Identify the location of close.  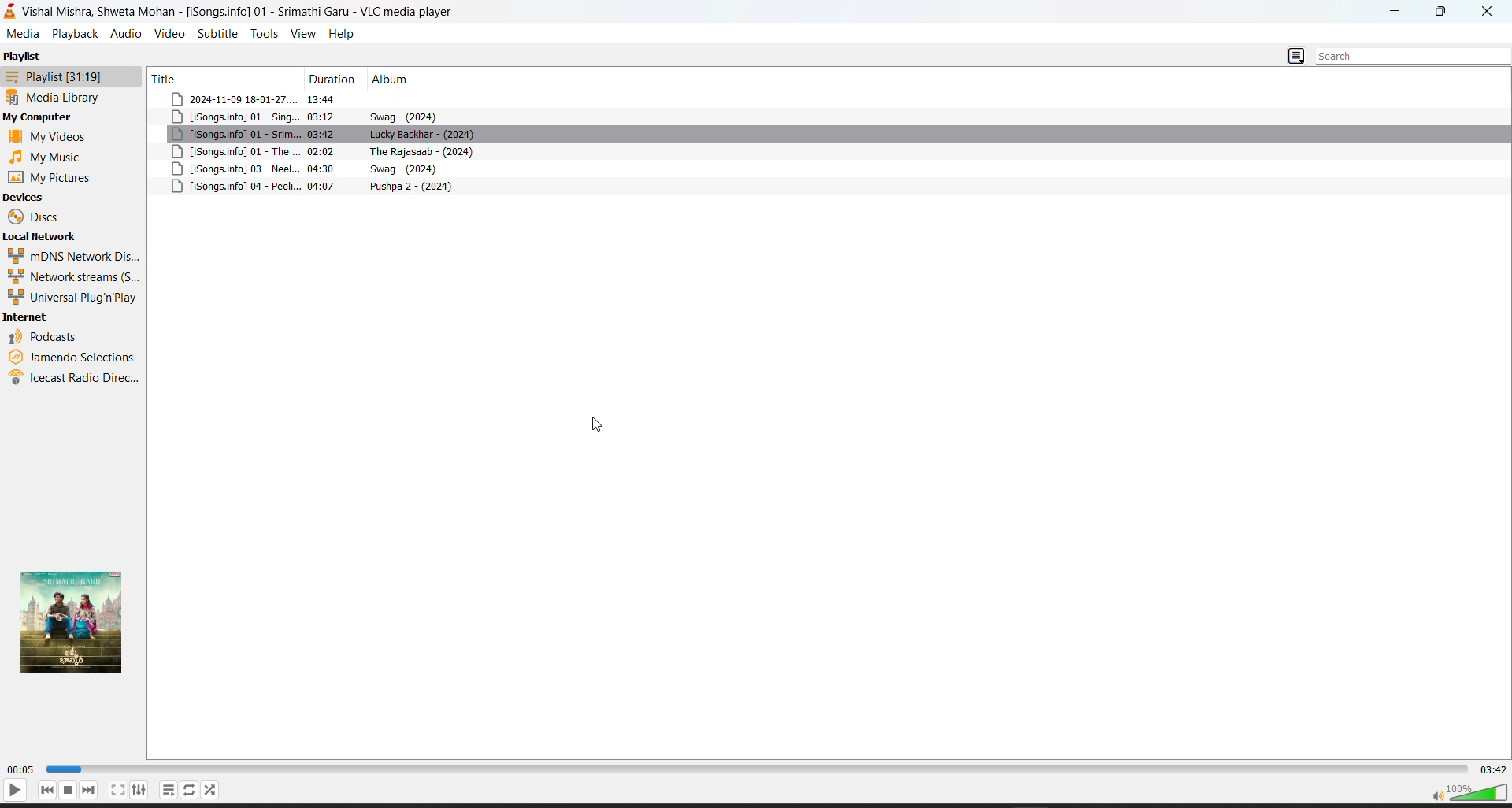
(1492, 11).